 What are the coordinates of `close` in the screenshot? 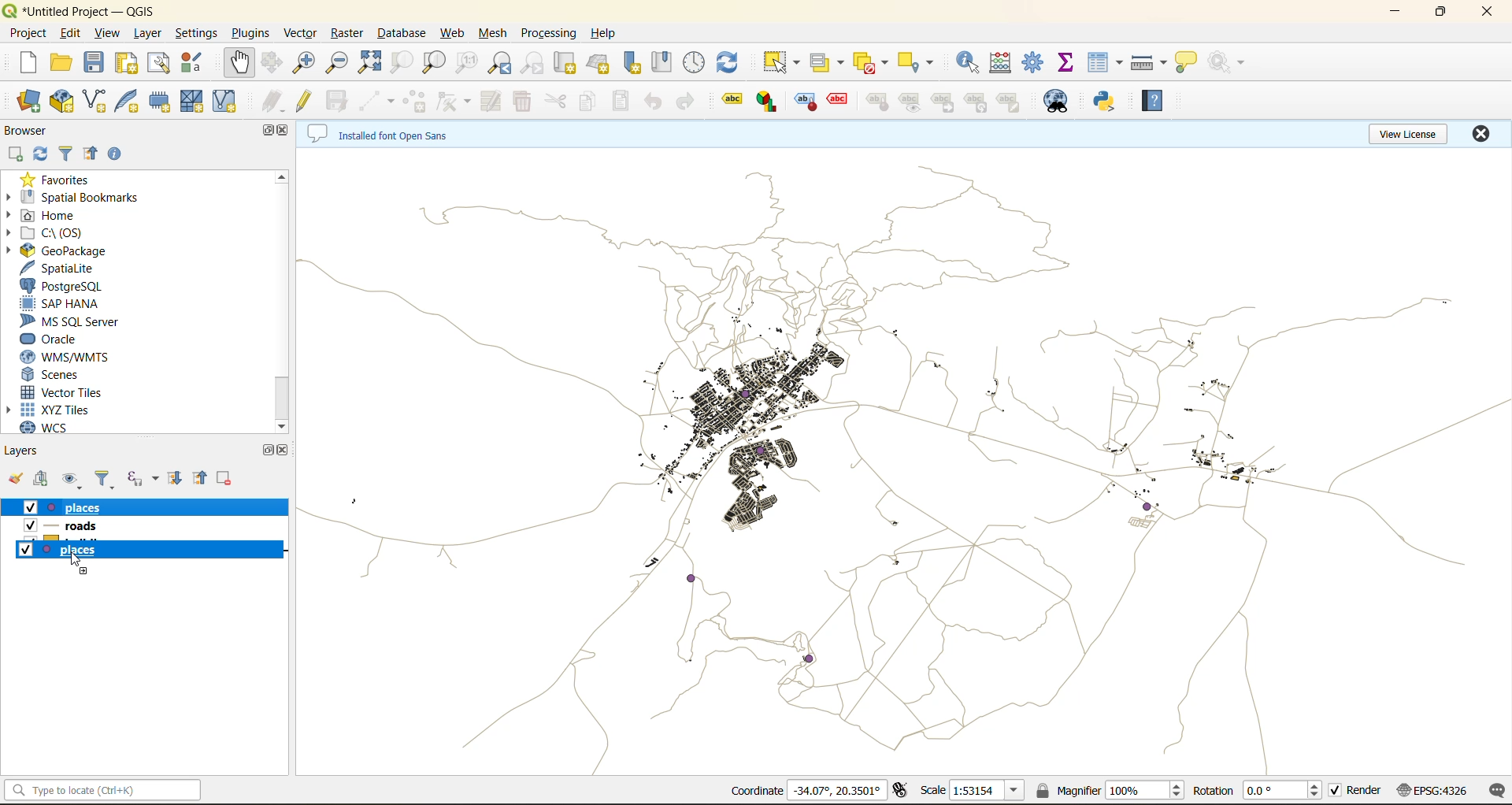 It's located at (1478, 135).